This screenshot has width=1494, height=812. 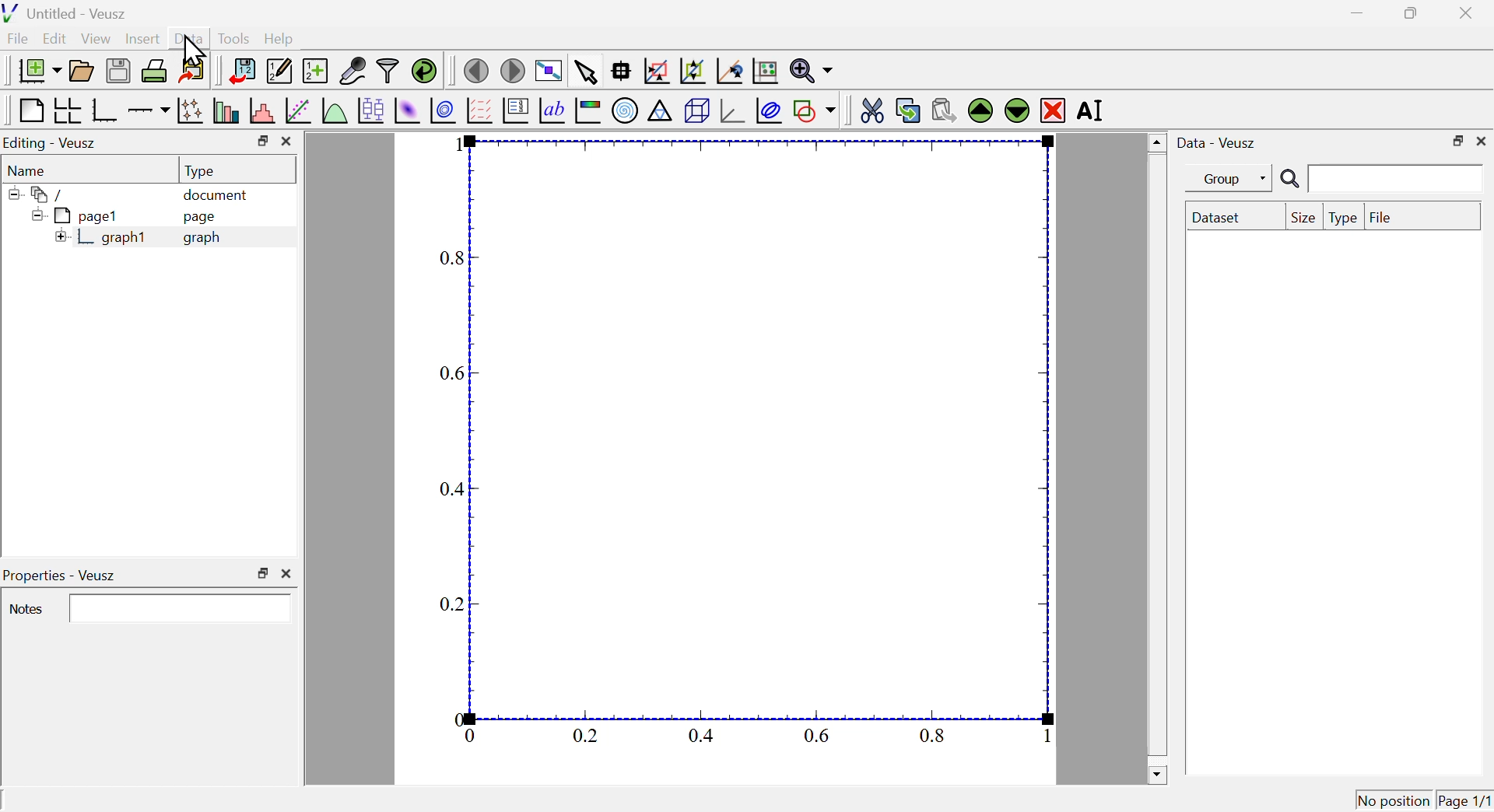 What do you see at coordinates (1220, 217) in the screenshot?
I see `dataset` at bounding box center [1220, 217].